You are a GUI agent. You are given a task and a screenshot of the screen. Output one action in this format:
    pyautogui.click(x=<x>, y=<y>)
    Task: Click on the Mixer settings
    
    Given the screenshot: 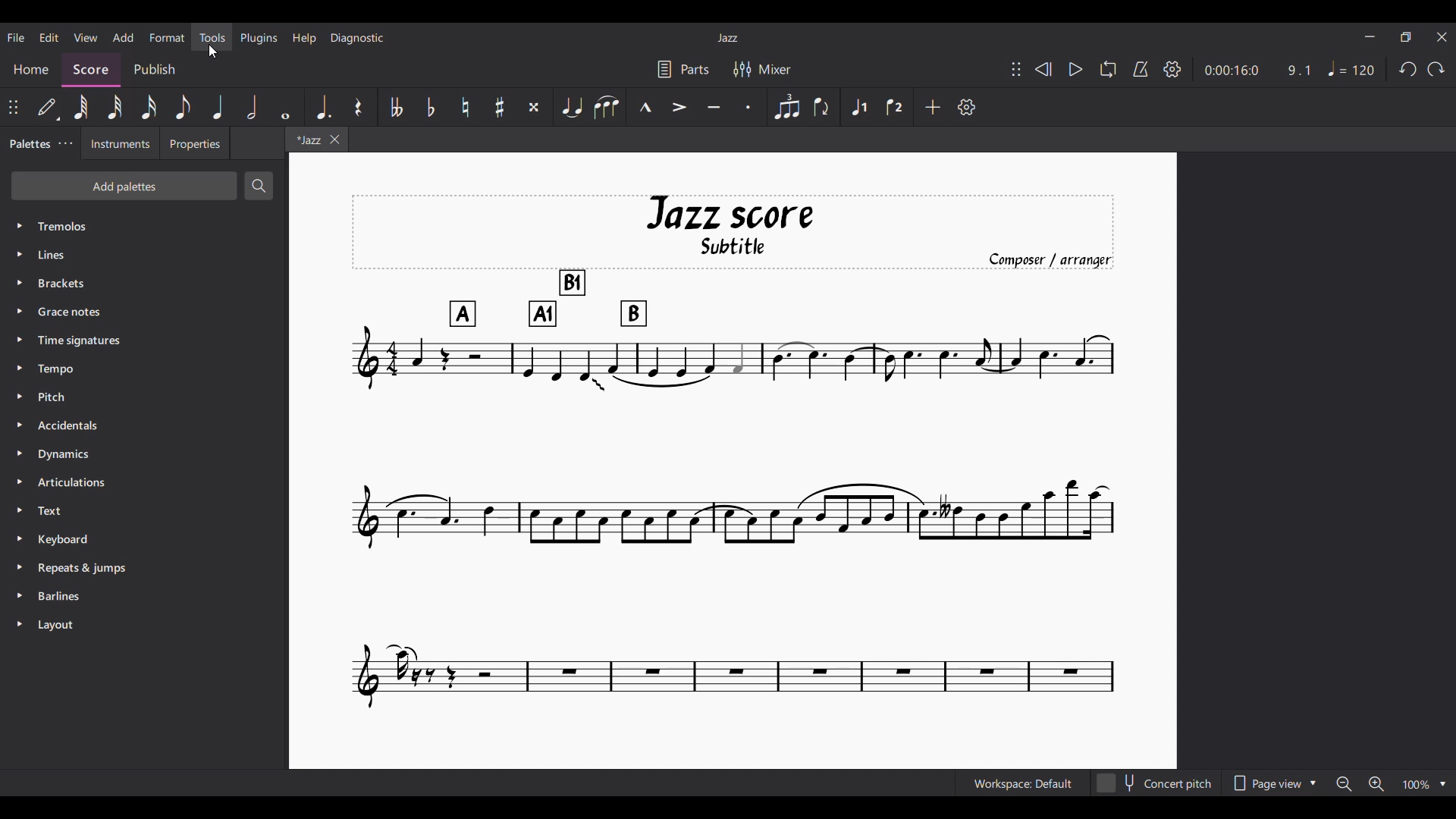 What is the action you would take?
    pyautogui.click(x=762, y=70)
    